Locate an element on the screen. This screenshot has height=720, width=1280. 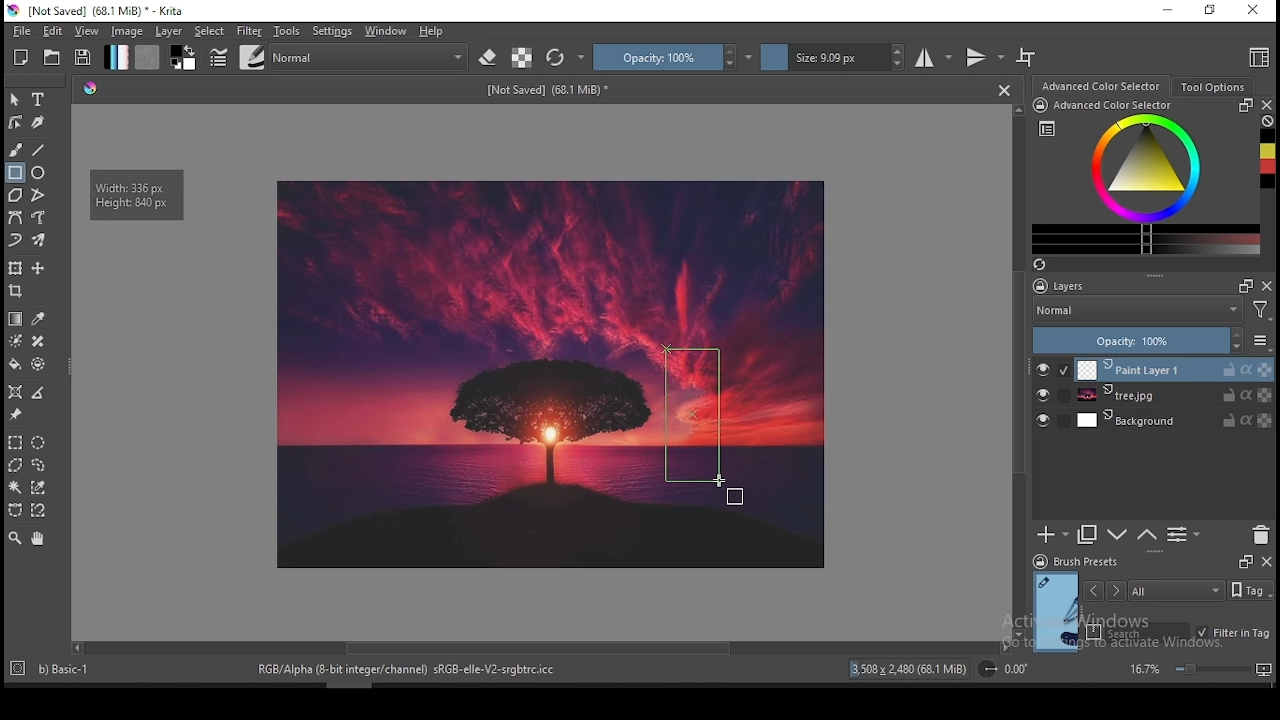
Image is located at coordinates (462, 372).